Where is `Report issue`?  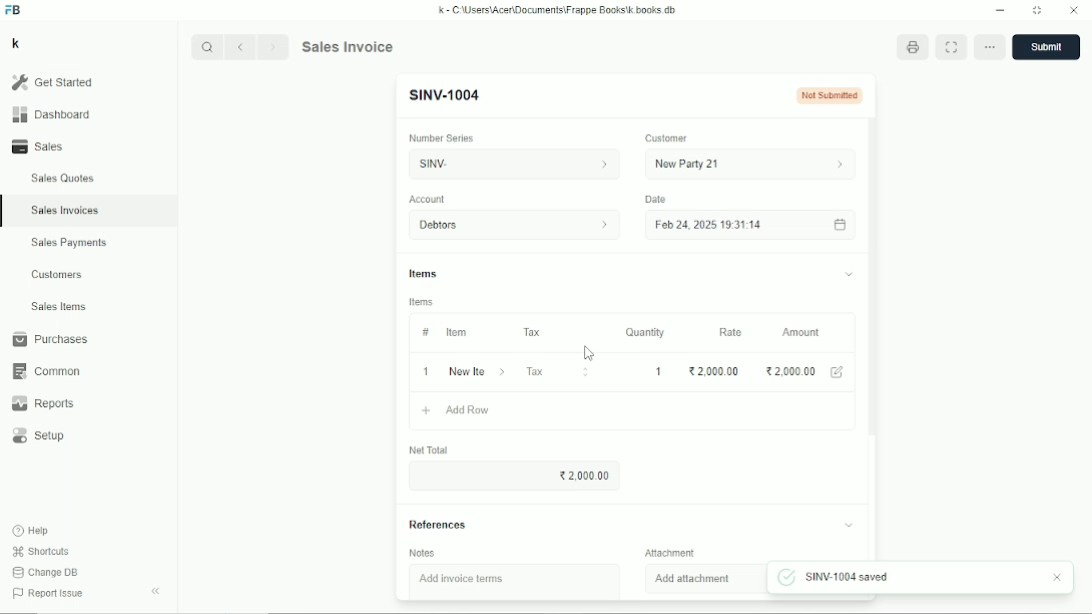
Report issue is located at coordinates (46, 595).